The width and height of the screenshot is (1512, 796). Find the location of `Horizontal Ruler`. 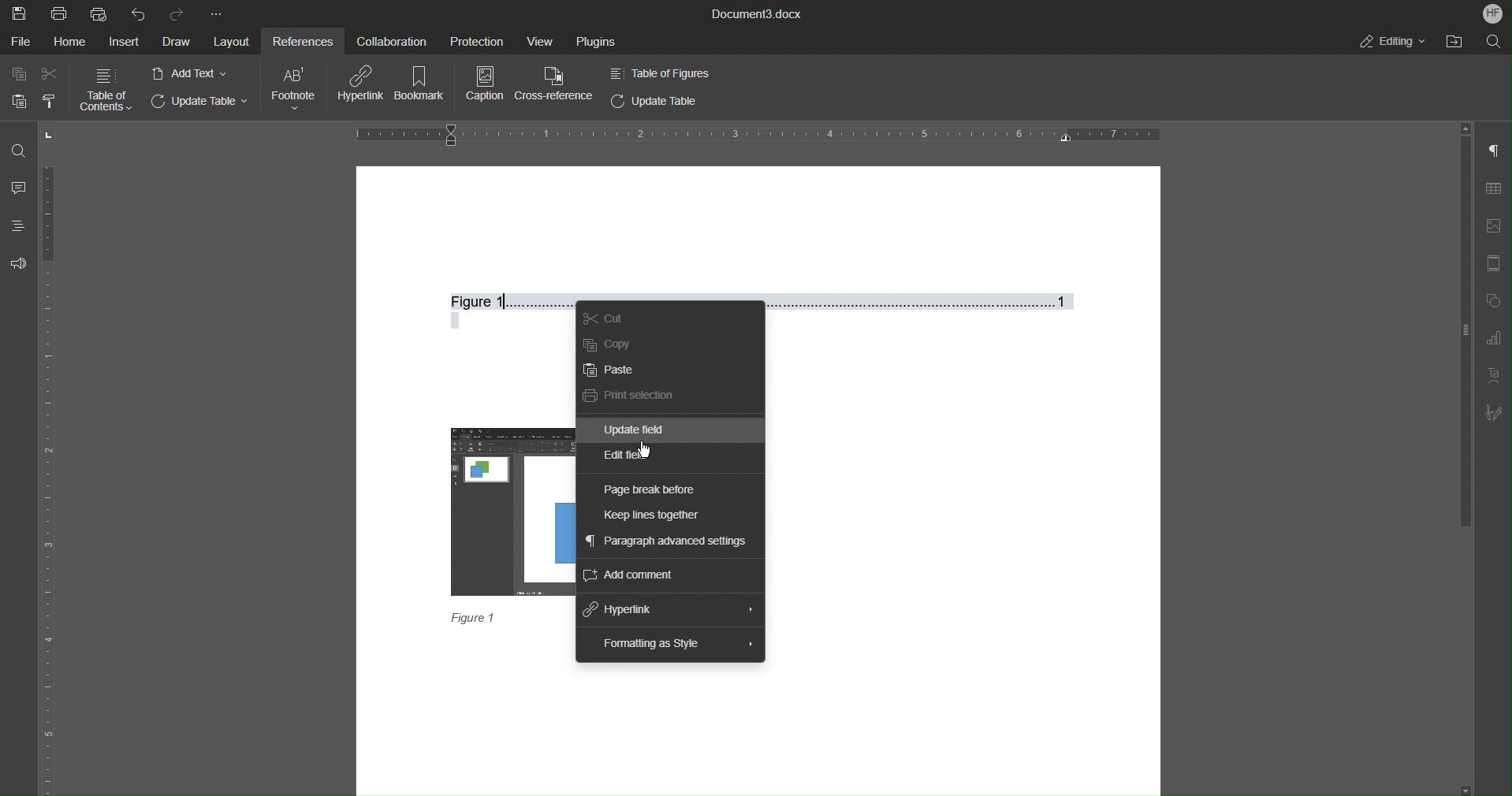

Horizontal Ruler is located at coordinates (758, 133).